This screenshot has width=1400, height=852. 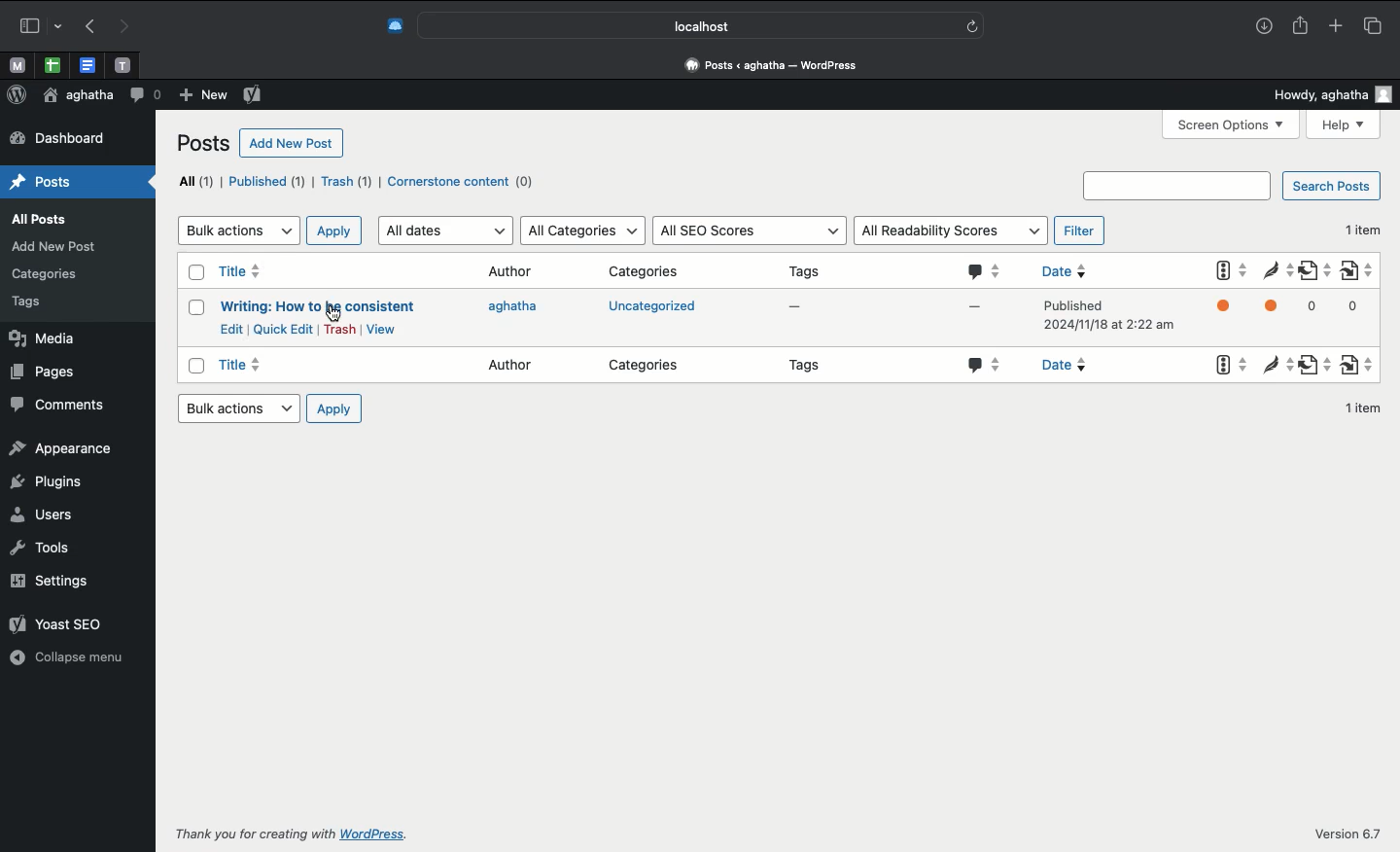 What do you see at coordinates (87, 28) in the screenshot?
I see `Previous page` at bounding box center [87, 28].